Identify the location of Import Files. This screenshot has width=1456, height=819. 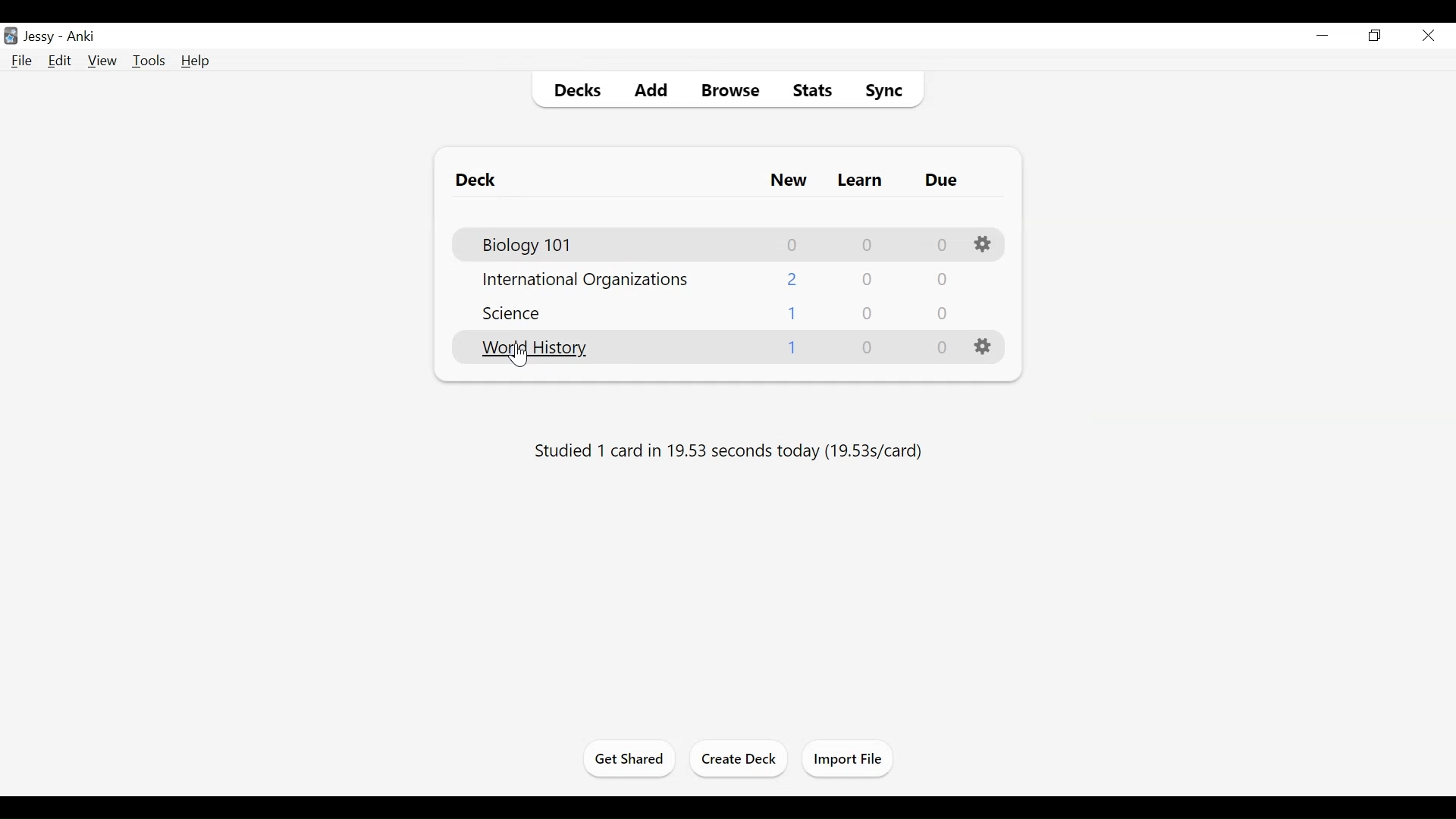
(845, 758).